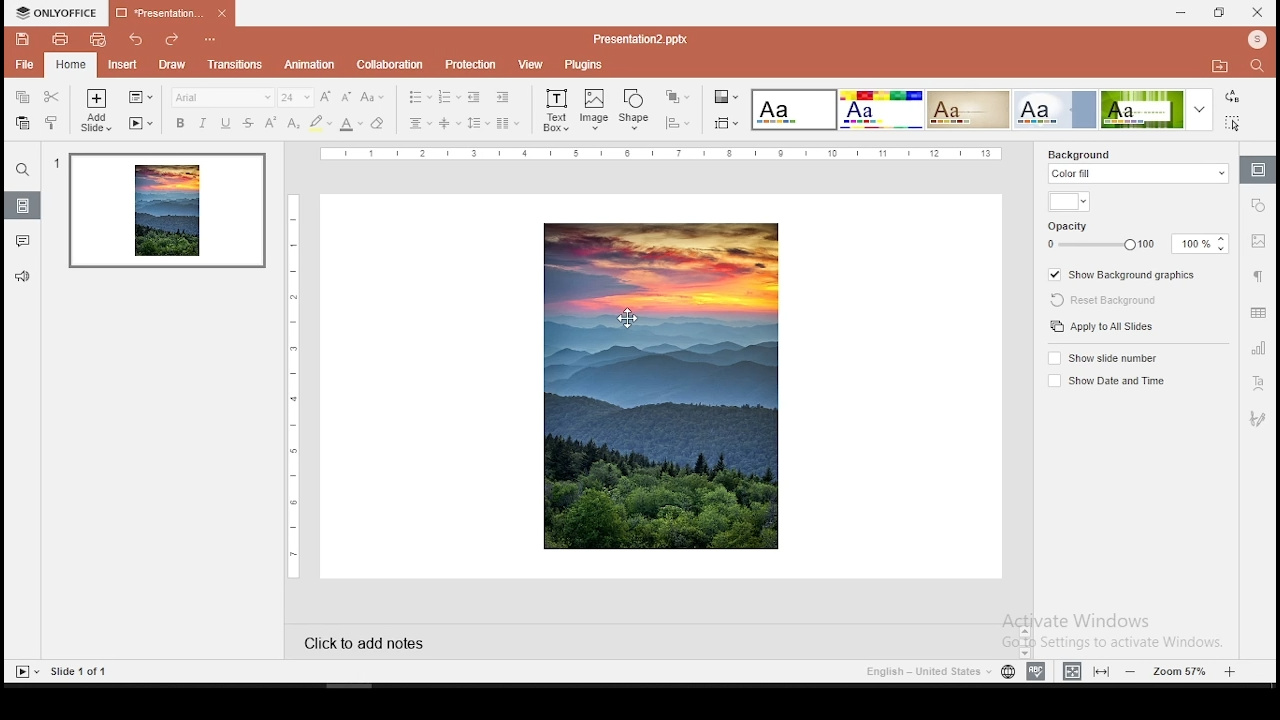 This screenshot has width=1280, height=720. I want to click on shape settings, so click(1259, 207).